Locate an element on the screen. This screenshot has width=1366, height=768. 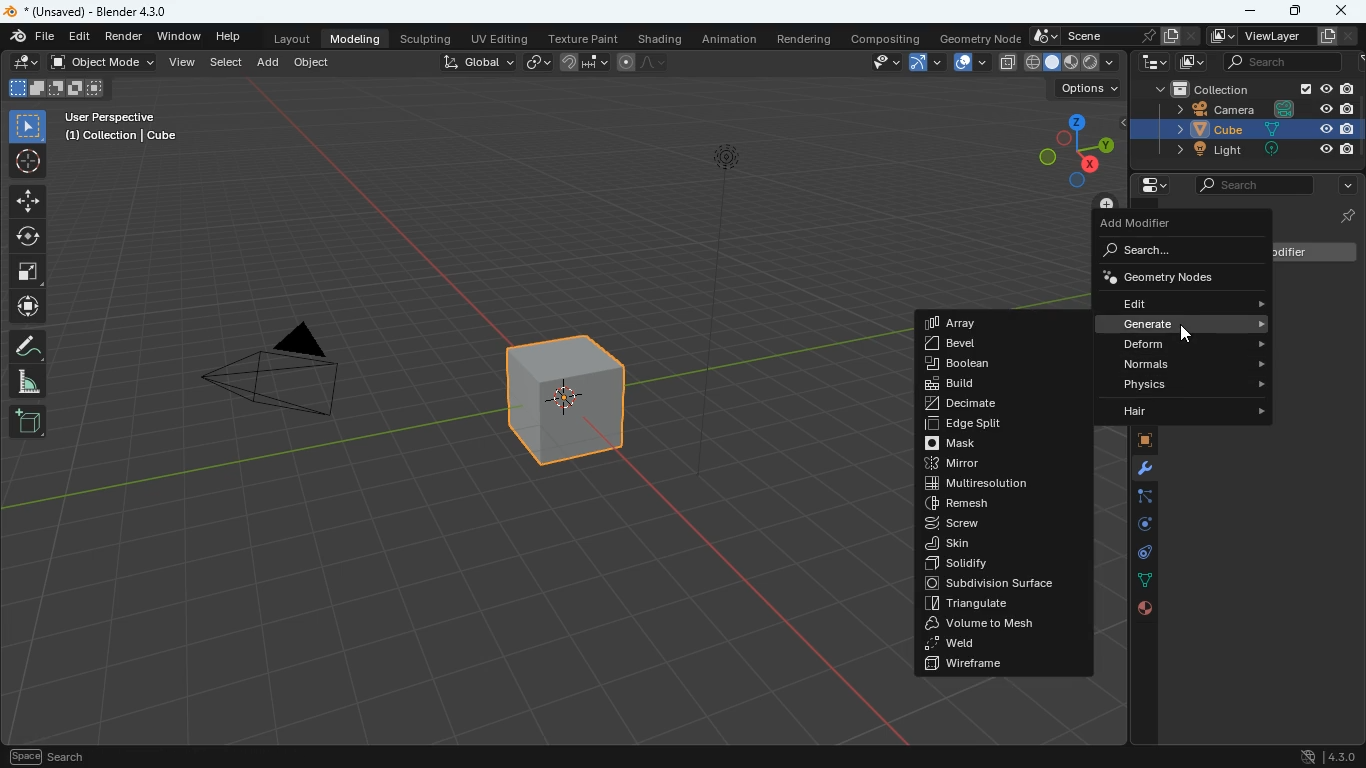
sculpting is located at coordinates (429, 38).